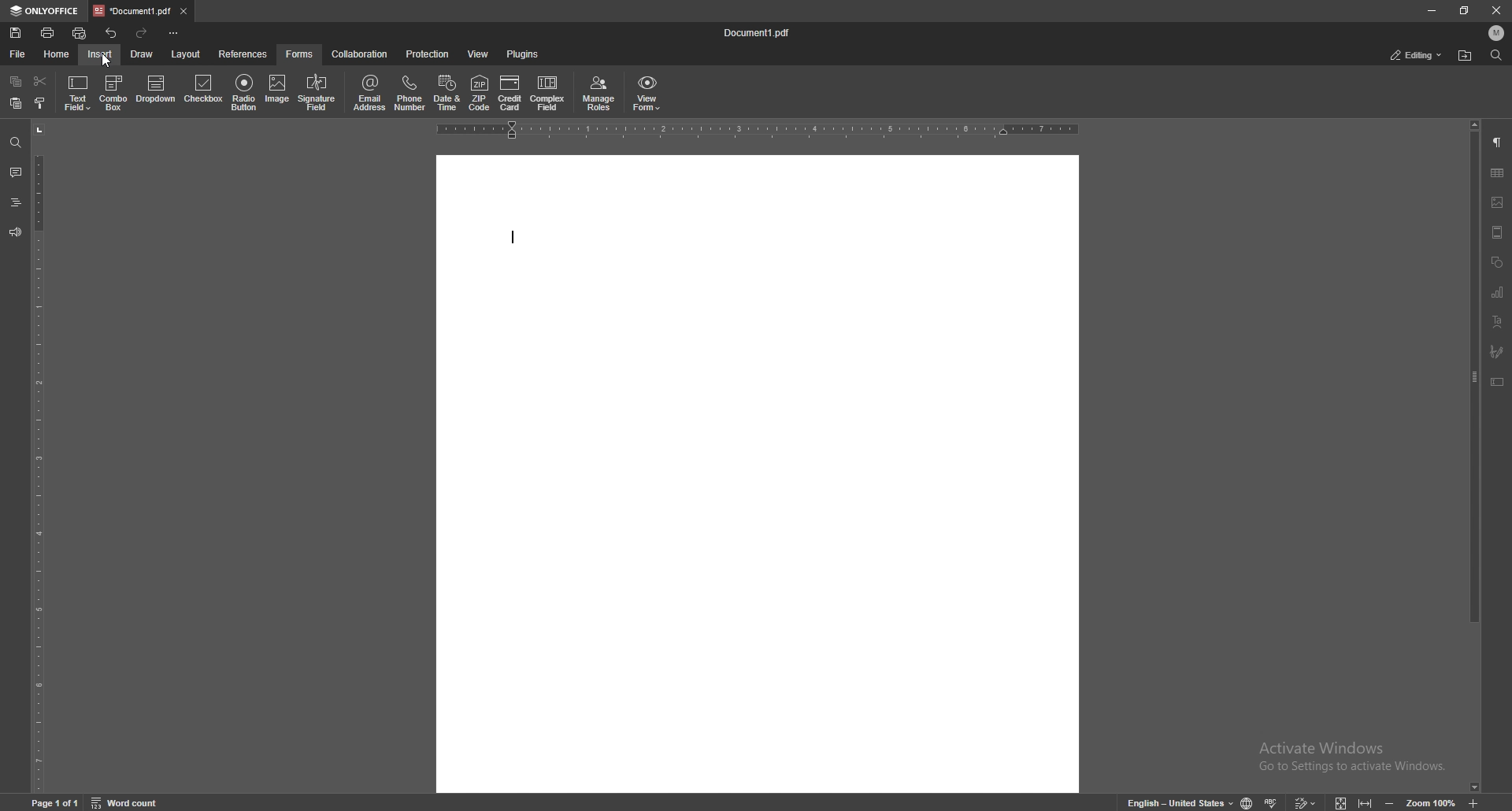  I want to click on page, so click(57, 802).